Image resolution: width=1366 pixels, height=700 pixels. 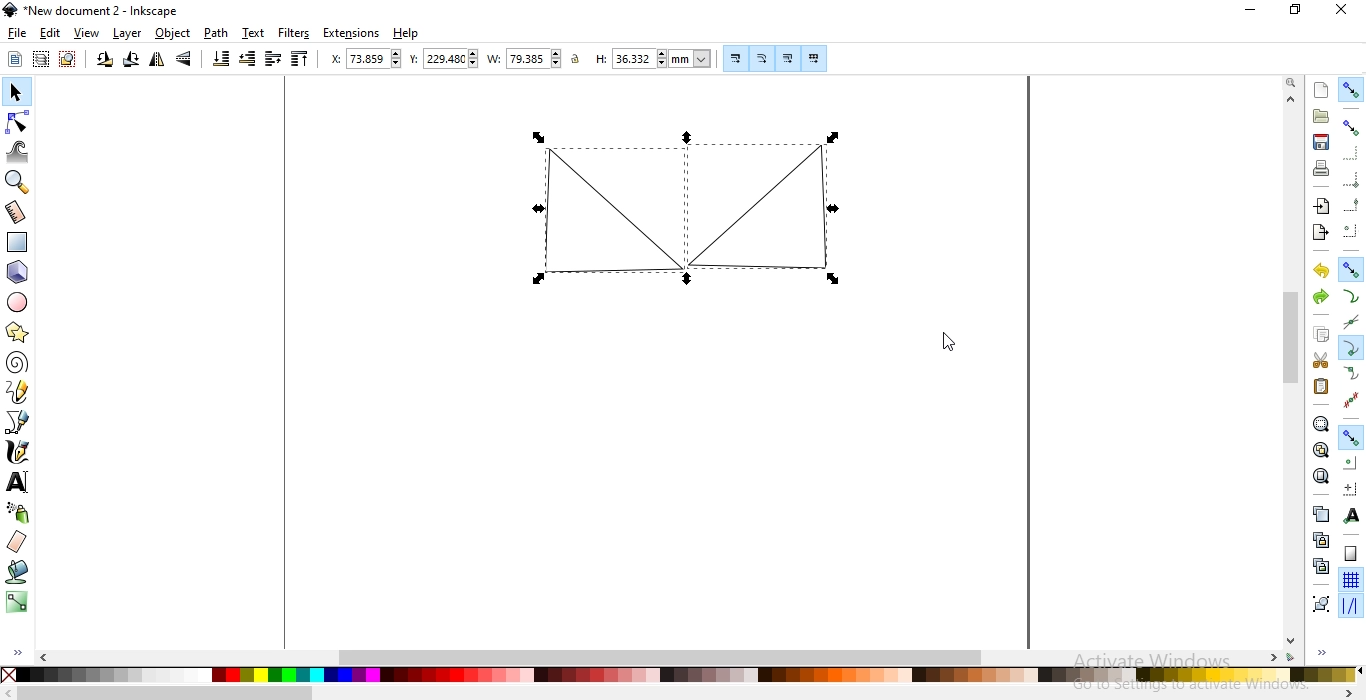 I want to click on maximize, so click(x=1294, y=12).